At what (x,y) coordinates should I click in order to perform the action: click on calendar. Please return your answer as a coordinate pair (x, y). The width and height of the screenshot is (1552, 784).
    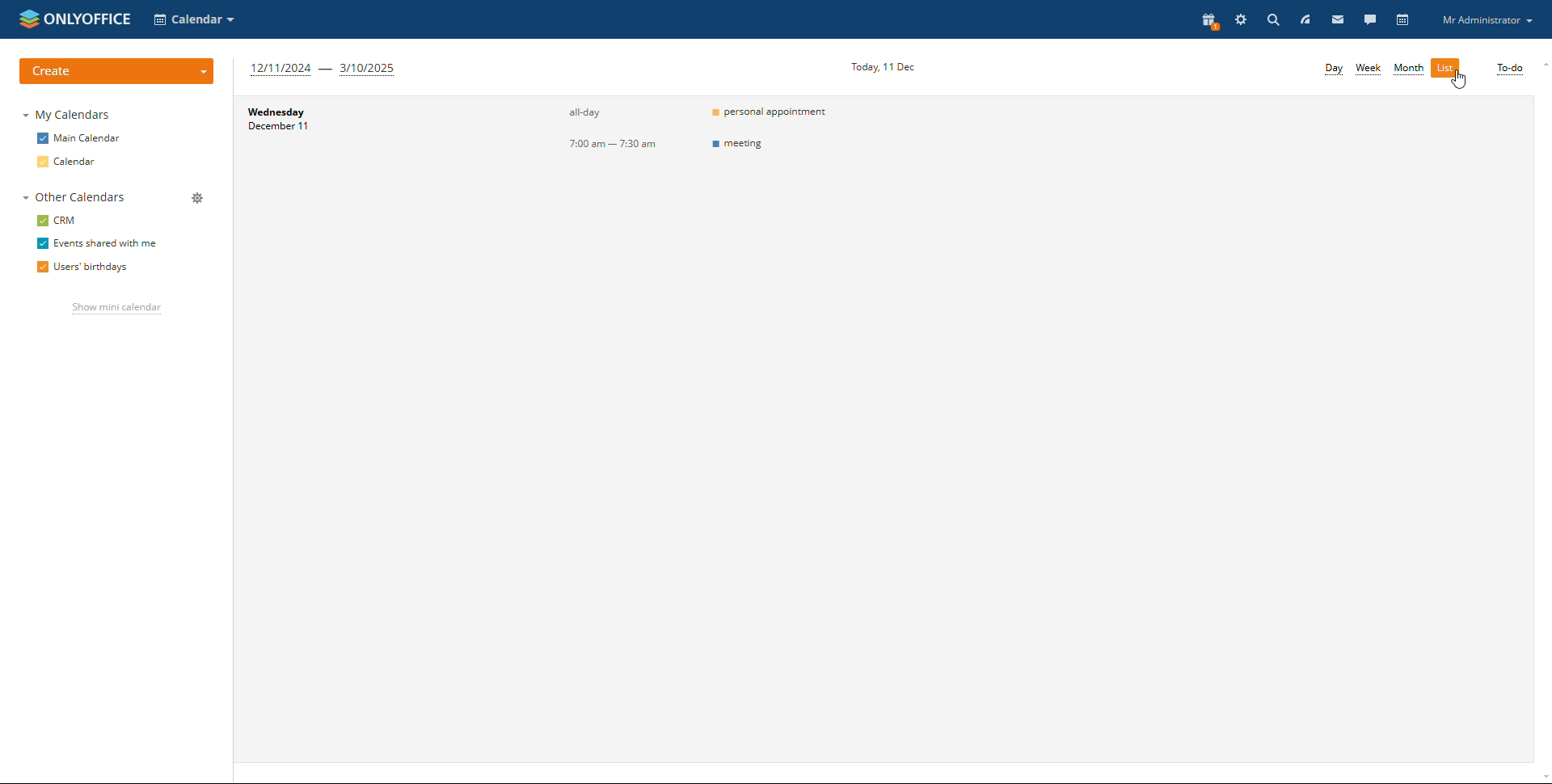
    Looking at the image, I should click on (69, 162).